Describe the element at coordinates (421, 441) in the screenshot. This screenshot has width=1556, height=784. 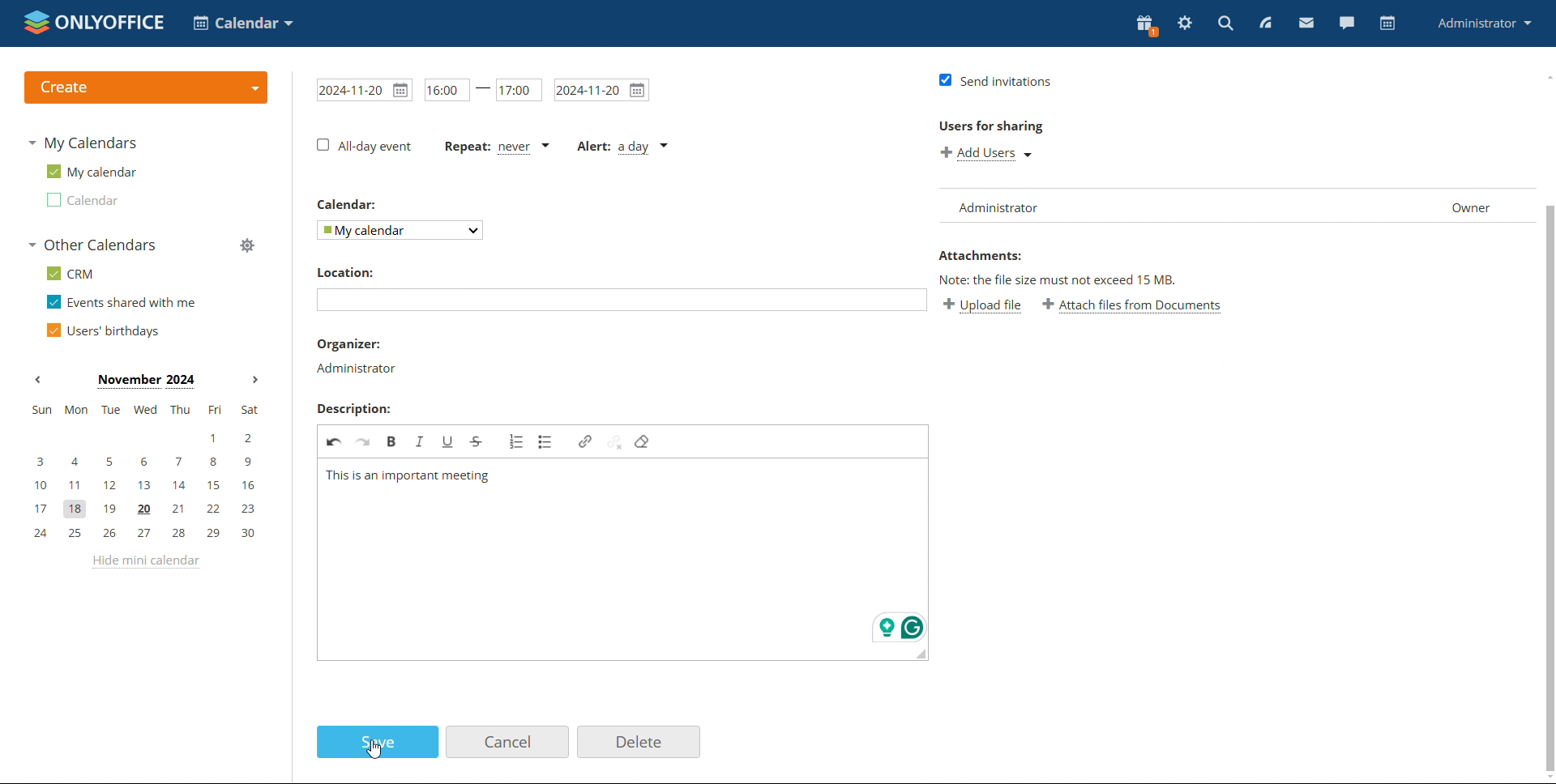
I see `italic` at that location.